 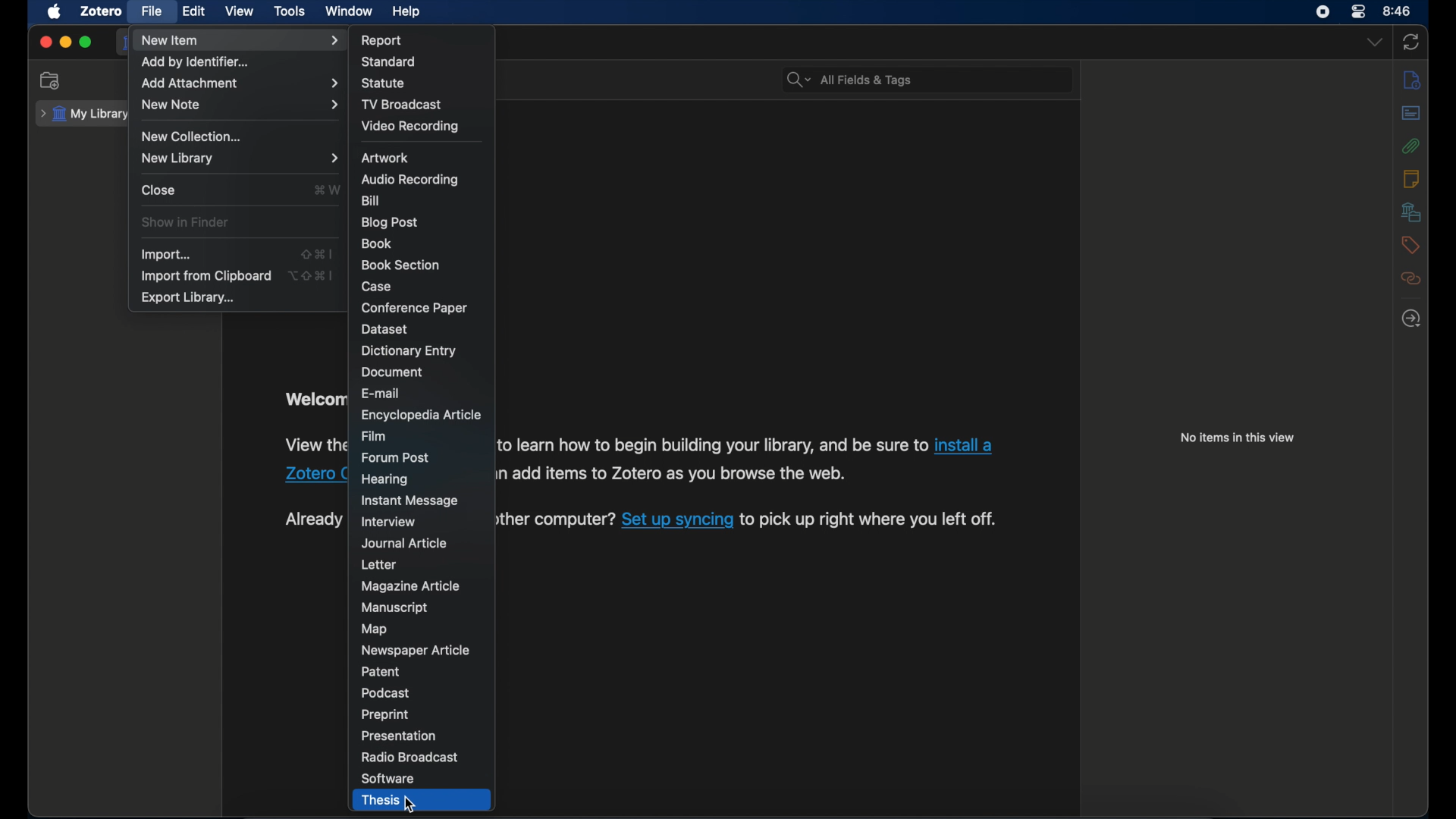 What do you see at coordinates (390, 61) in the screenshot?
I see `standard` at bounding box center [390, 61].